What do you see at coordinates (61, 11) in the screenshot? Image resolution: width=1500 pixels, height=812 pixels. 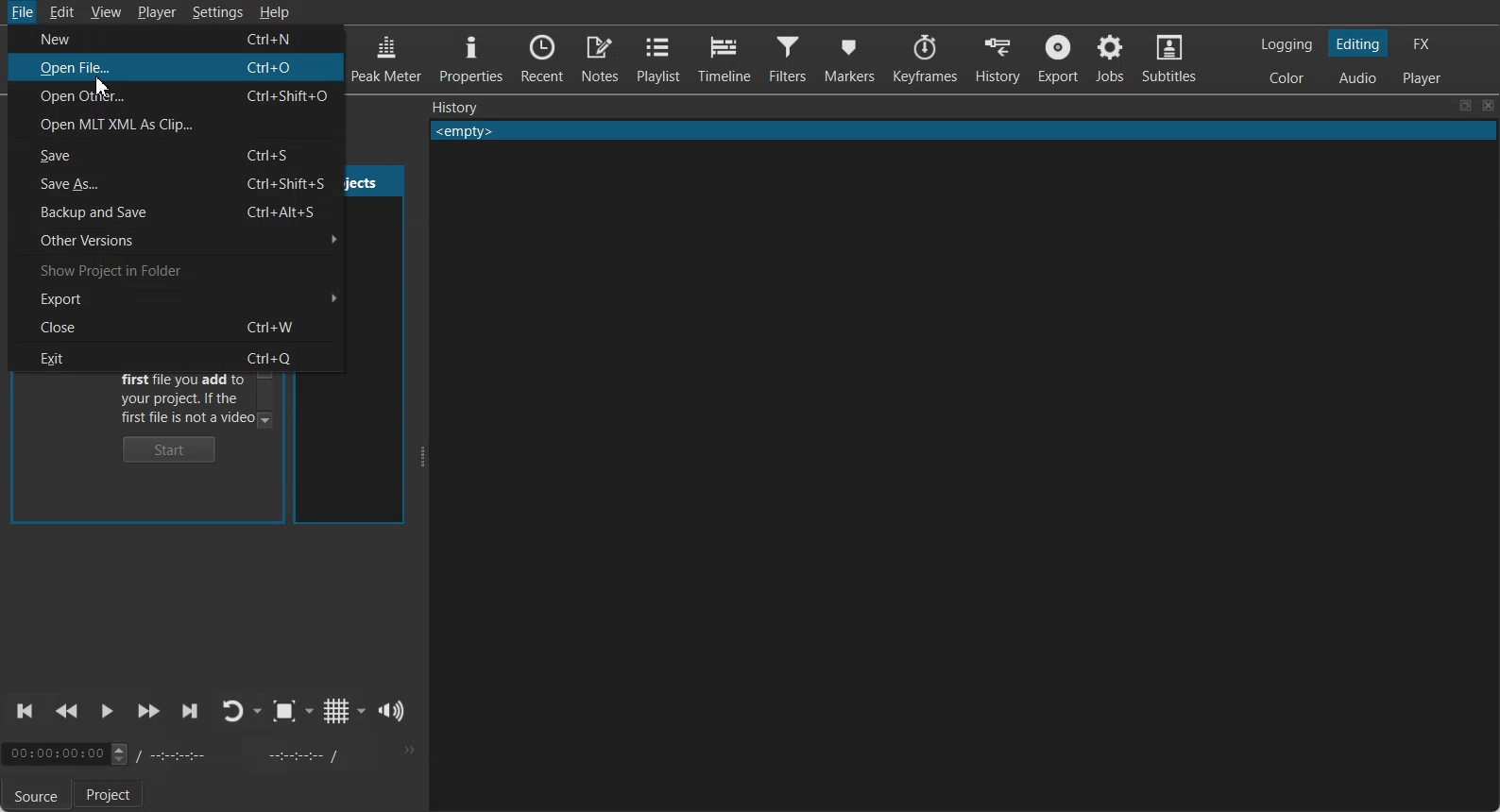 I see `Edit` at bounding box center [61, 11].